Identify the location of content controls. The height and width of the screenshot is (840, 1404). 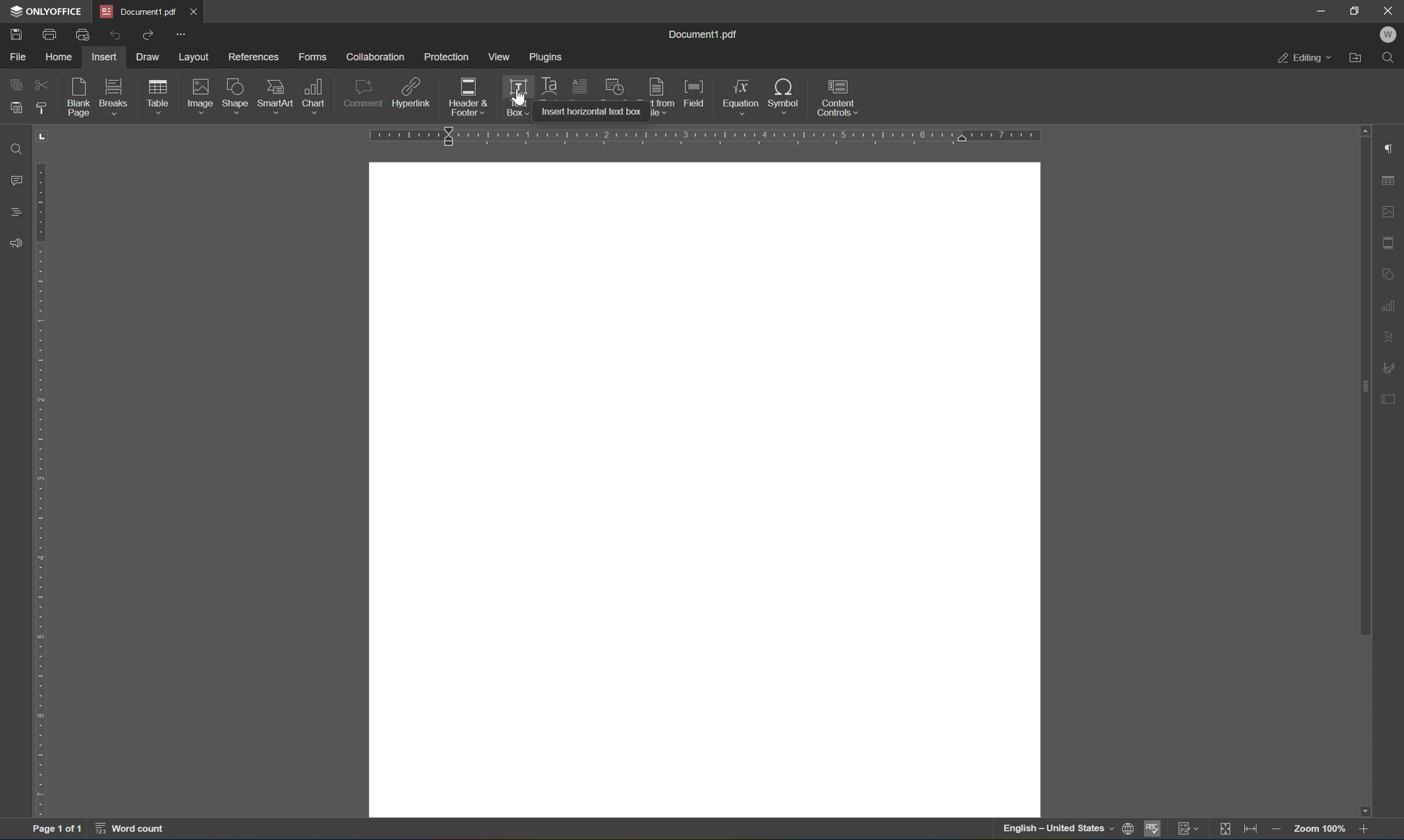
(841, 97).